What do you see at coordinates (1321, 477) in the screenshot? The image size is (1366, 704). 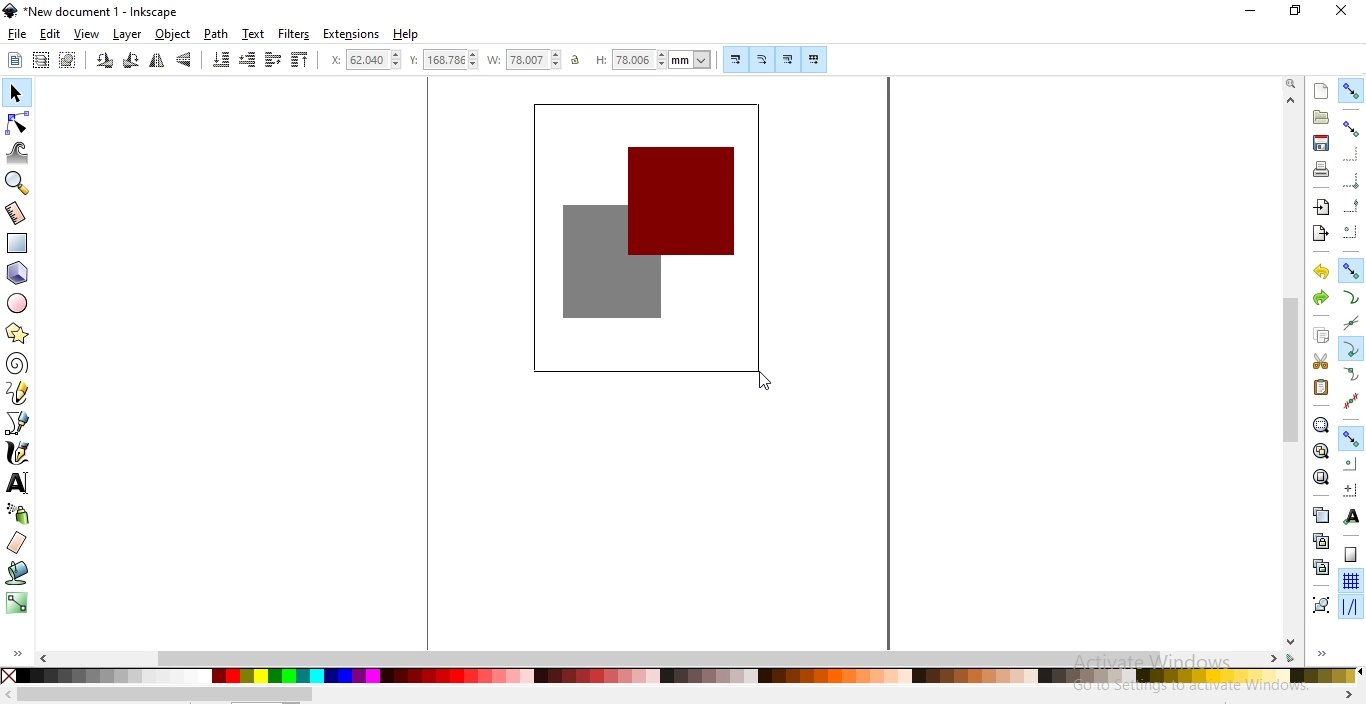 I see `zoom to fit page` at bounding box center [1321, 477].